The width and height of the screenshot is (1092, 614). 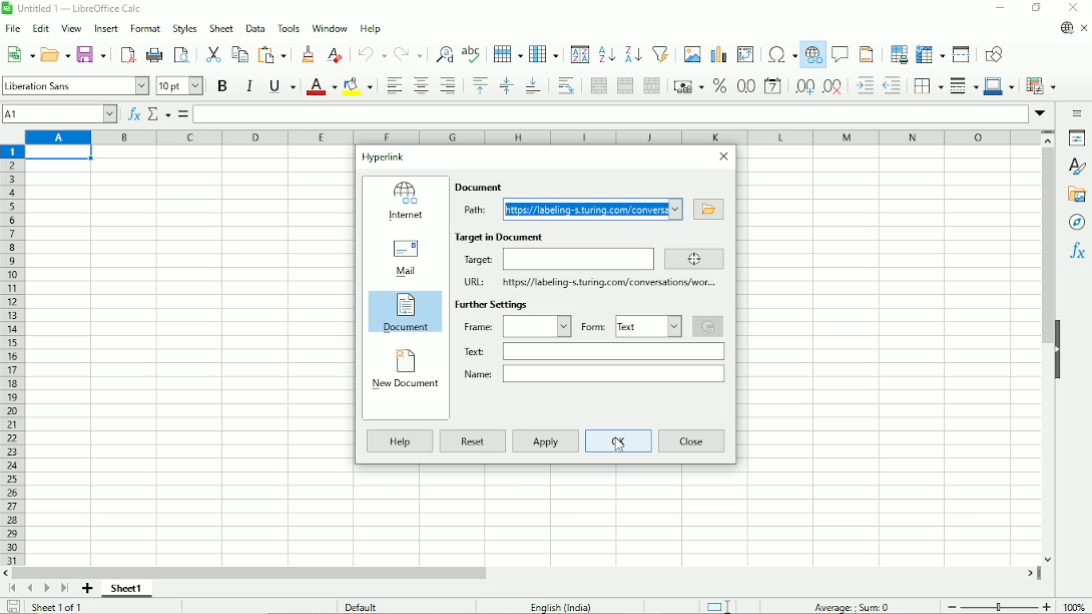 I want to click on Find and replace, so click(x=443, y=51).